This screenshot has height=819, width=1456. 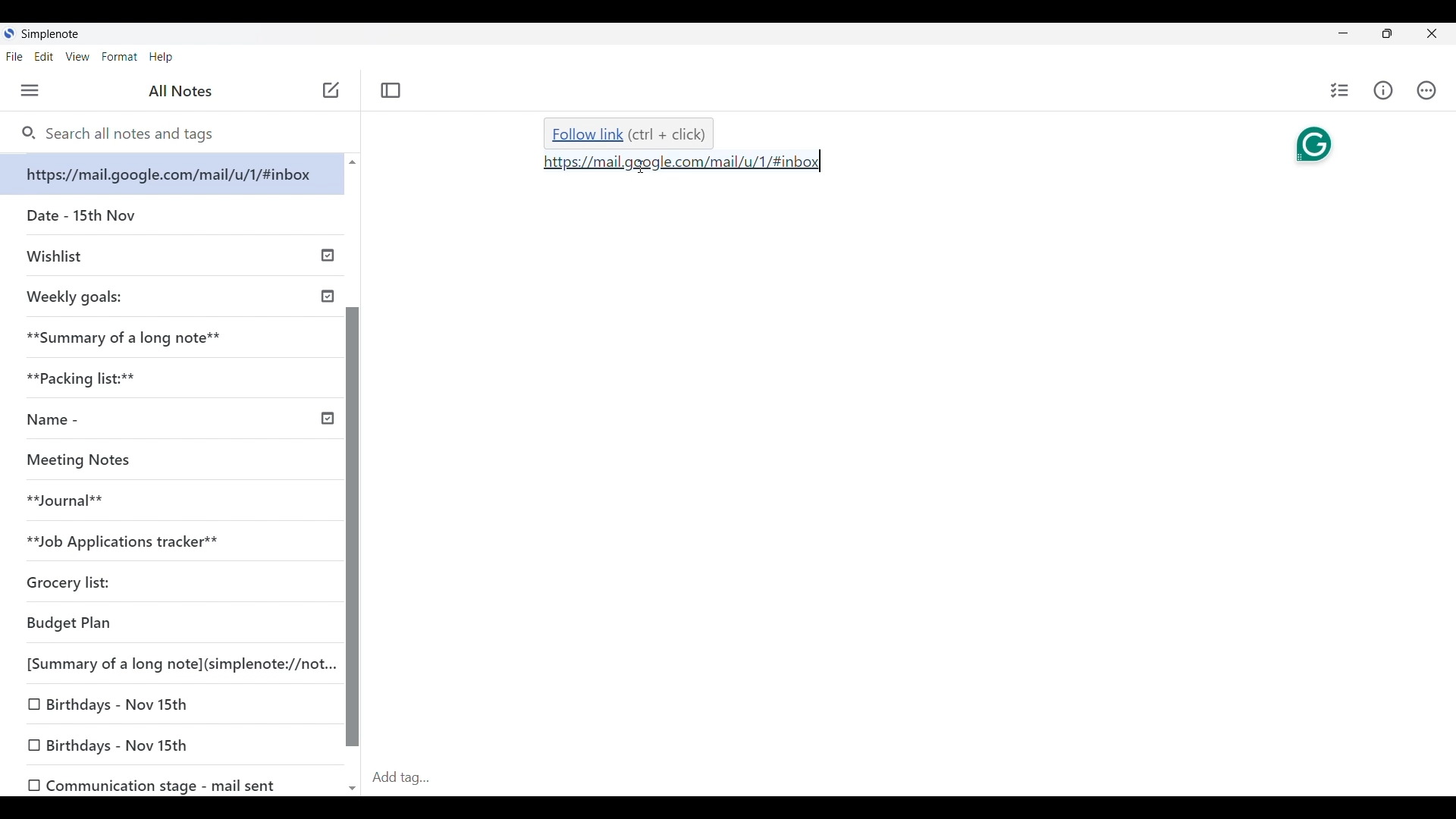 I want to click on Software name, so click(x=50, y=34).